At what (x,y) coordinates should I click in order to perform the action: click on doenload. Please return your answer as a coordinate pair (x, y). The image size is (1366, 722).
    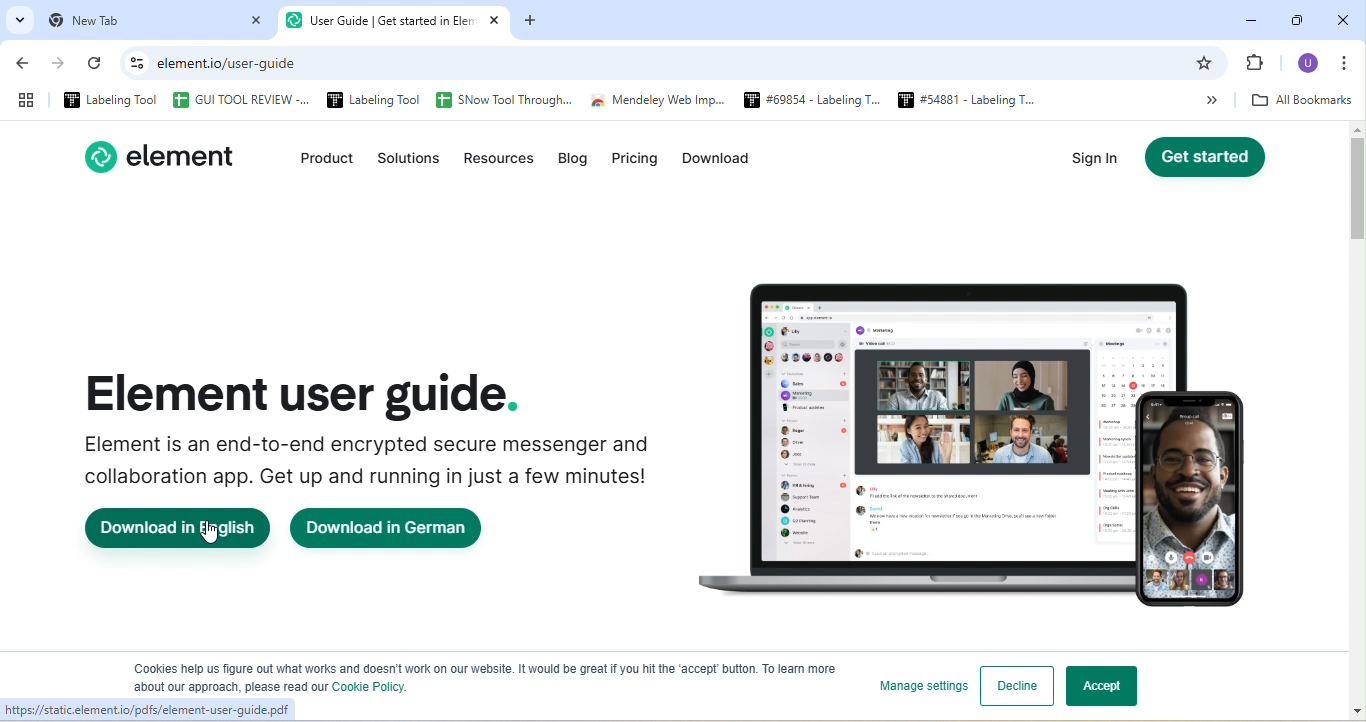
    Looking at the image, I should click on (720, 162).